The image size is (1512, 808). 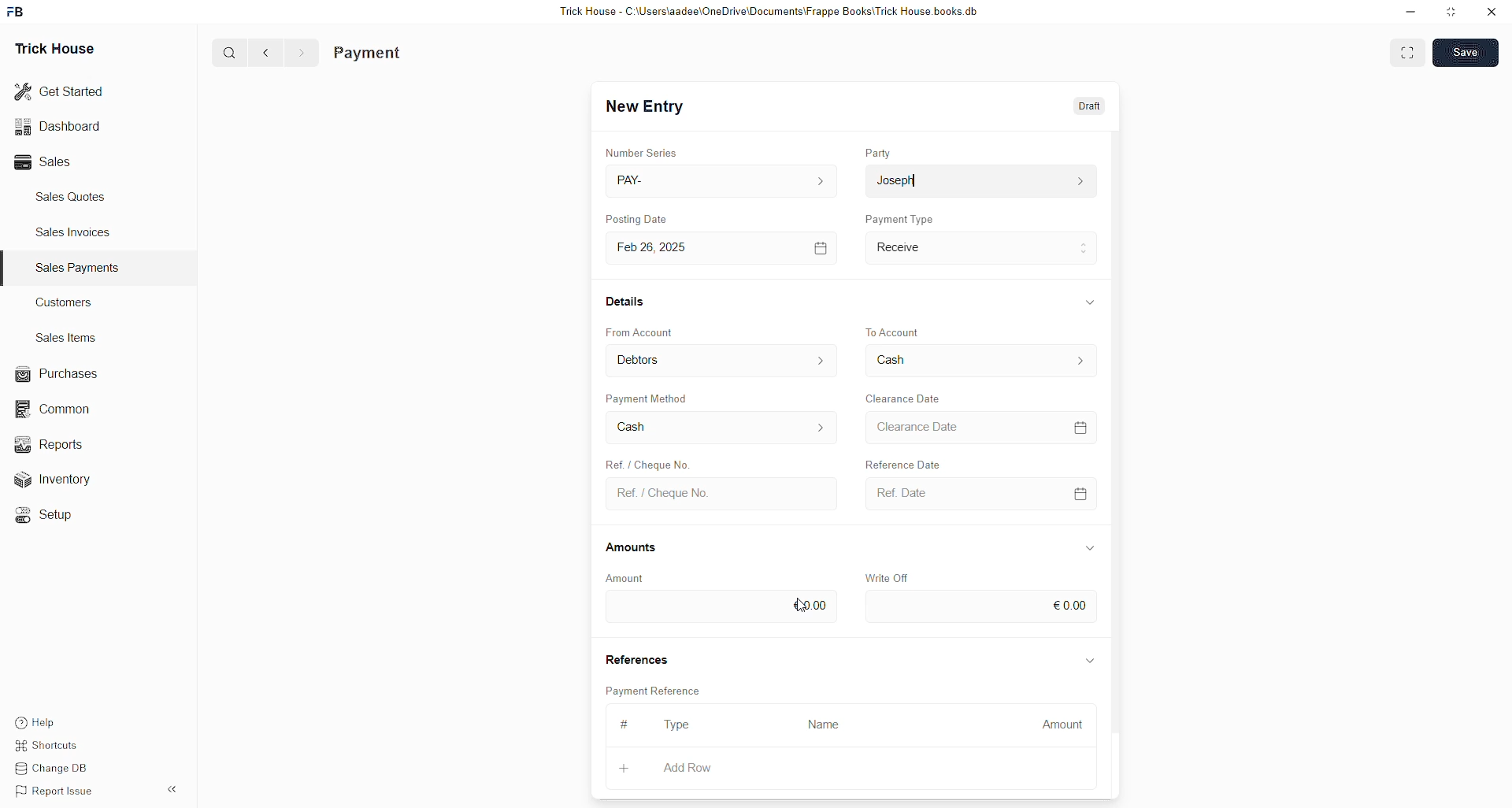 What do you see at coordinates (725, 249) in the screenshot?
I see `Feb 26, 2025` at bounding box center [725, 249].